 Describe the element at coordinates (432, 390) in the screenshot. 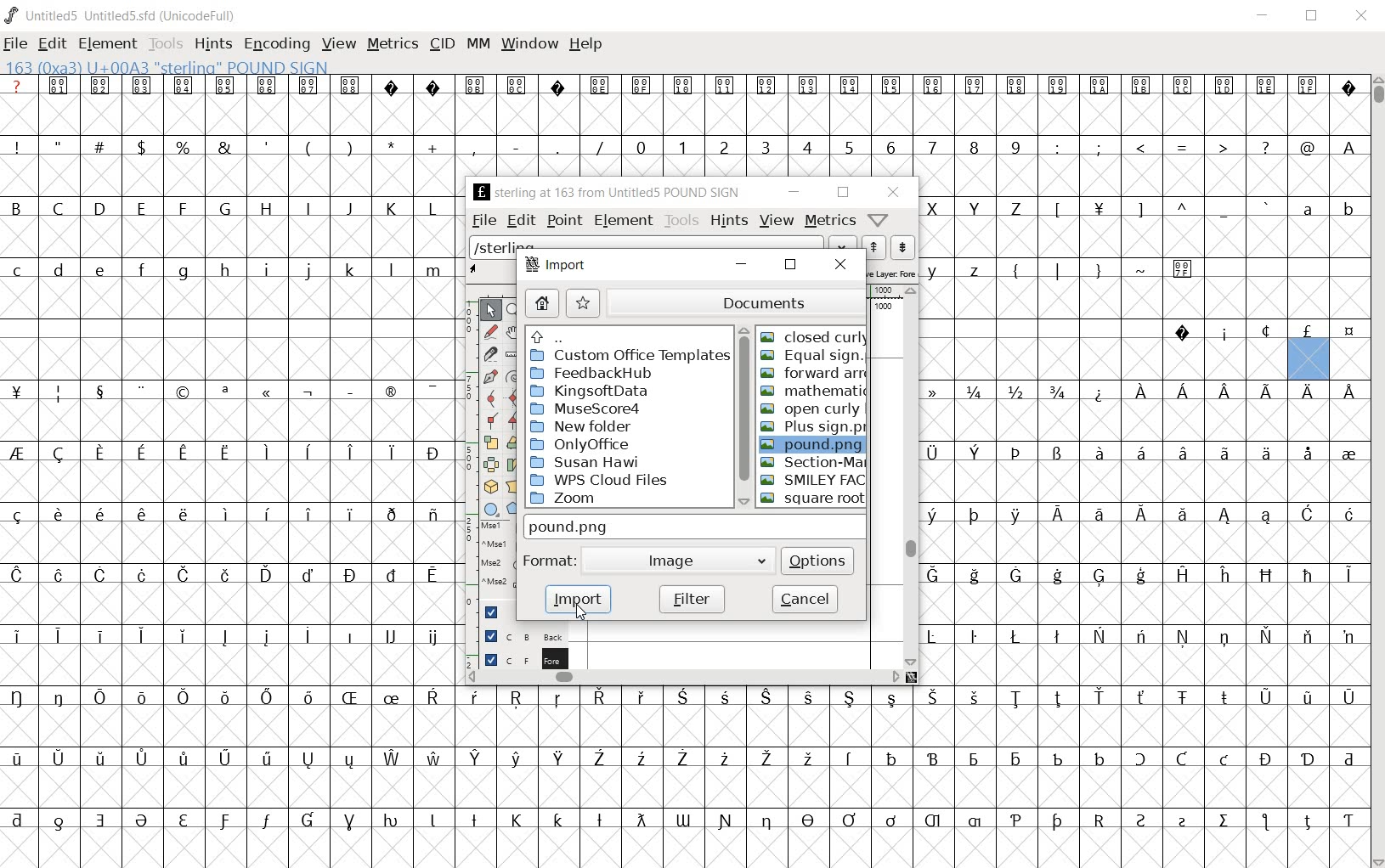

I see `Symbol` at that location.